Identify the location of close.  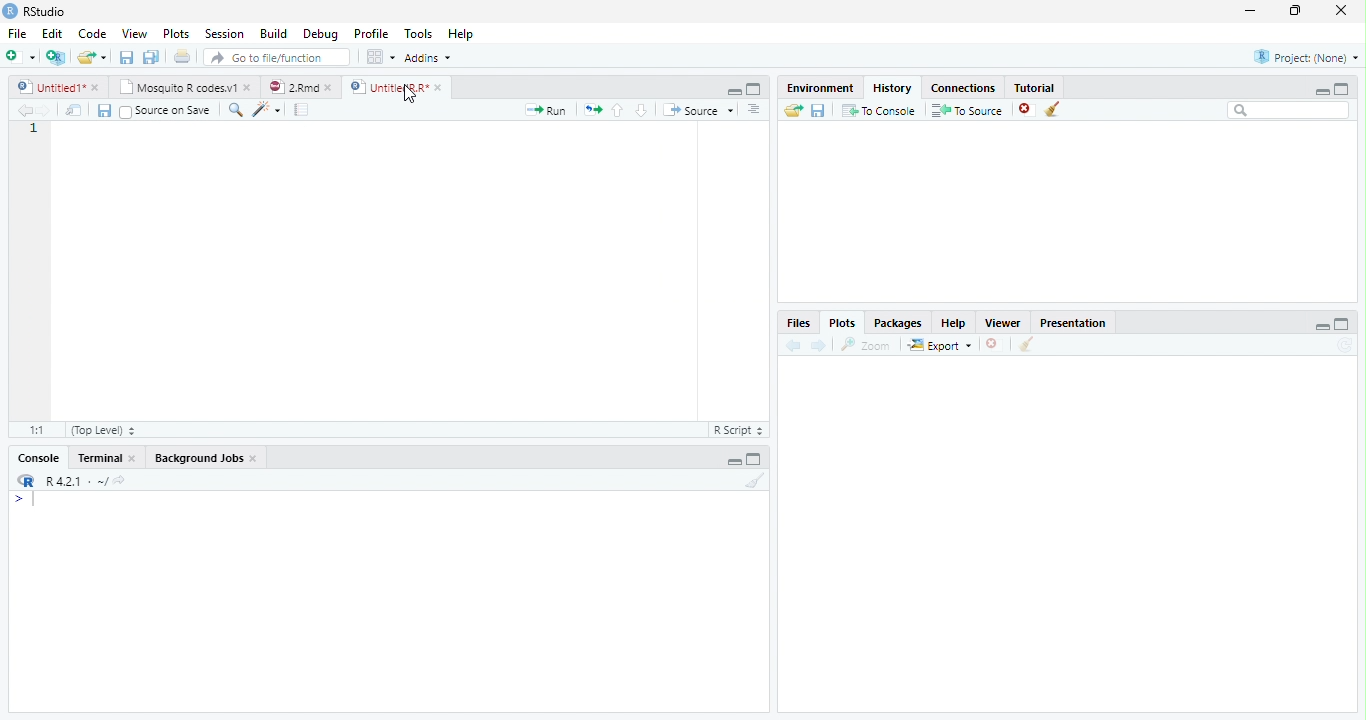
(248, 87).